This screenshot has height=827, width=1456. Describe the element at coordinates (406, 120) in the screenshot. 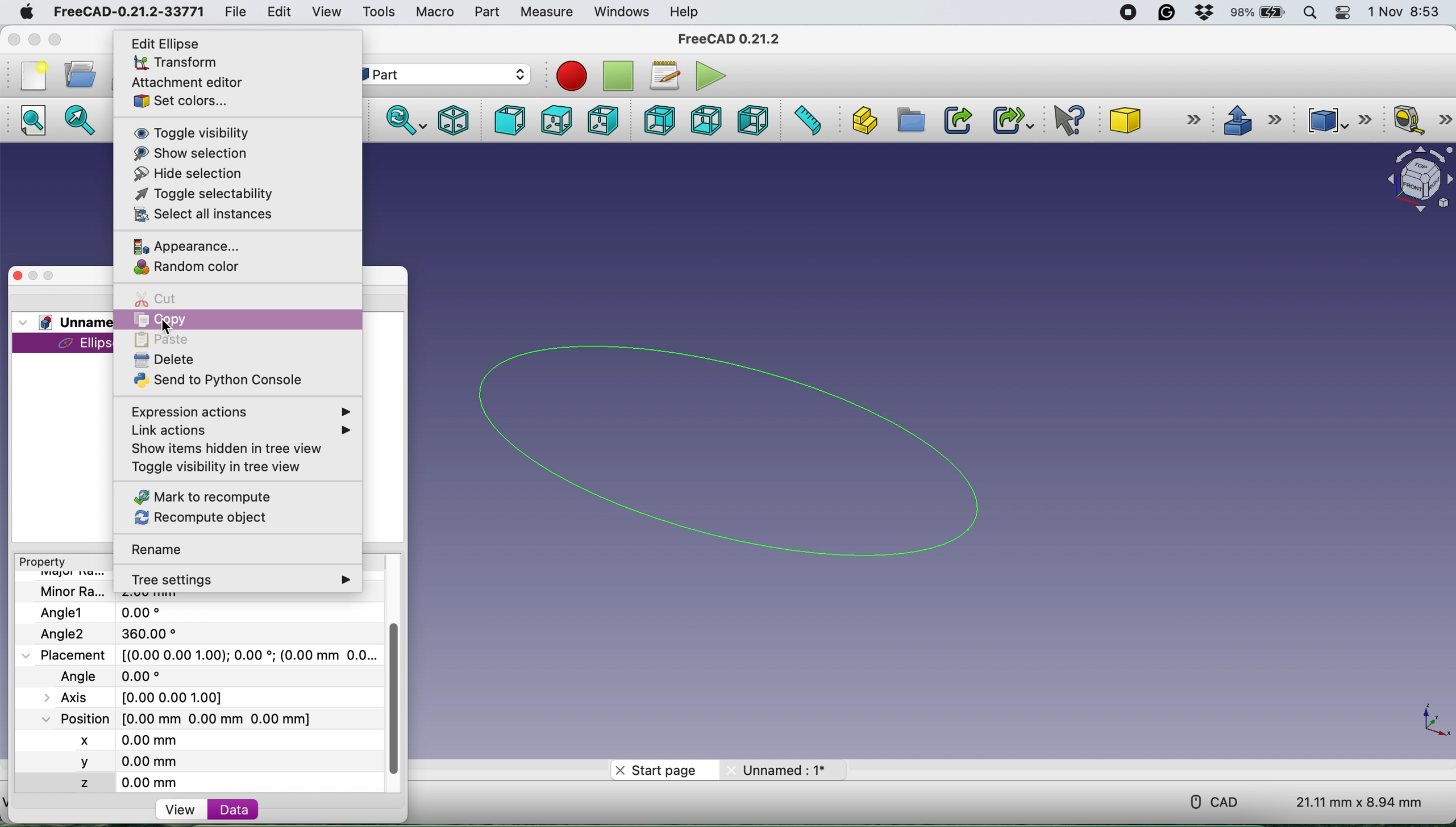

I see `sync view` at that location.